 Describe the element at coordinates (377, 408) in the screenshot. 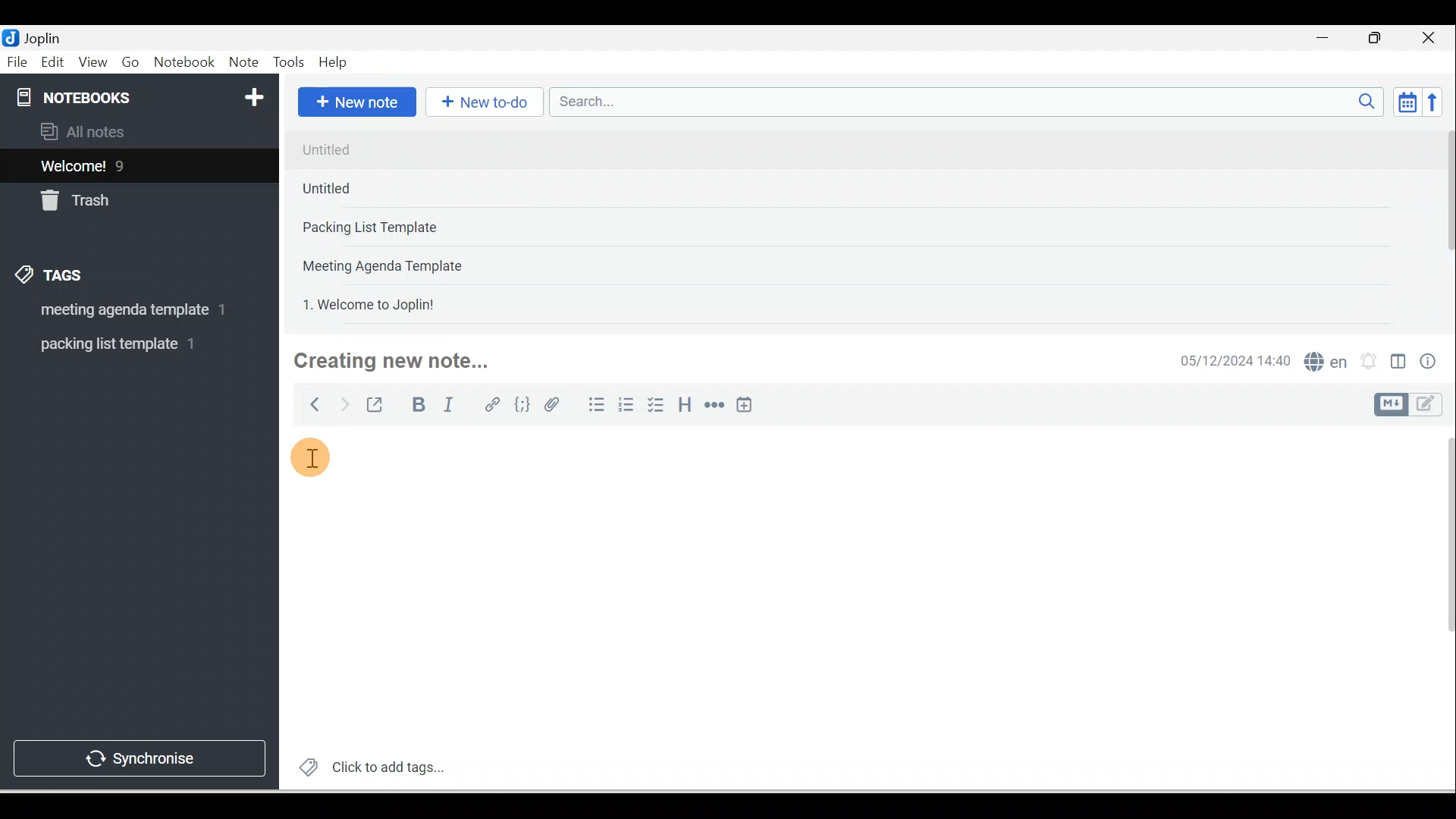

I see `Toggle external editing` at that location.